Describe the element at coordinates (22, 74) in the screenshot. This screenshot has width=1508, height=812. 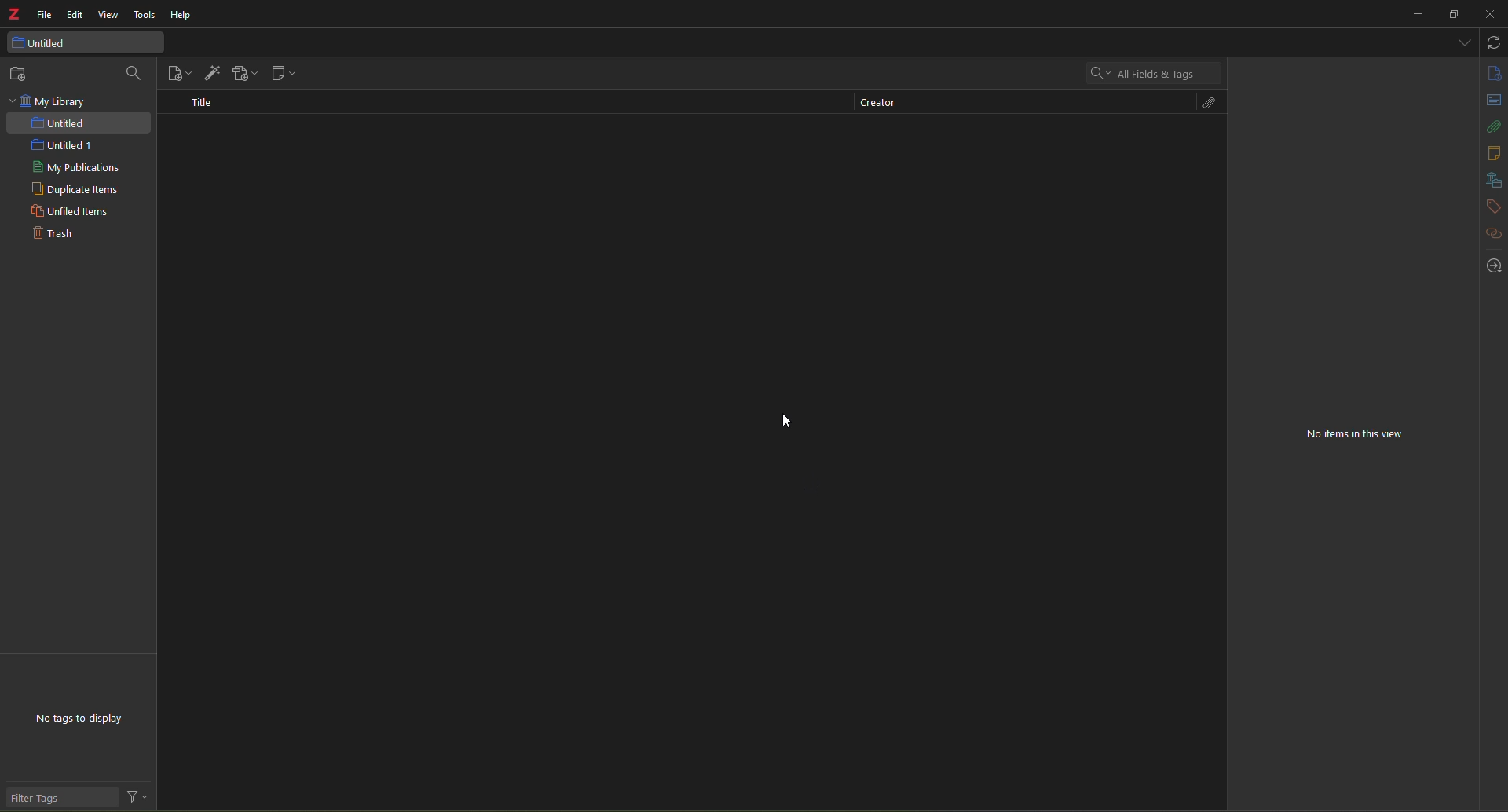
I see `new collection` at that location.